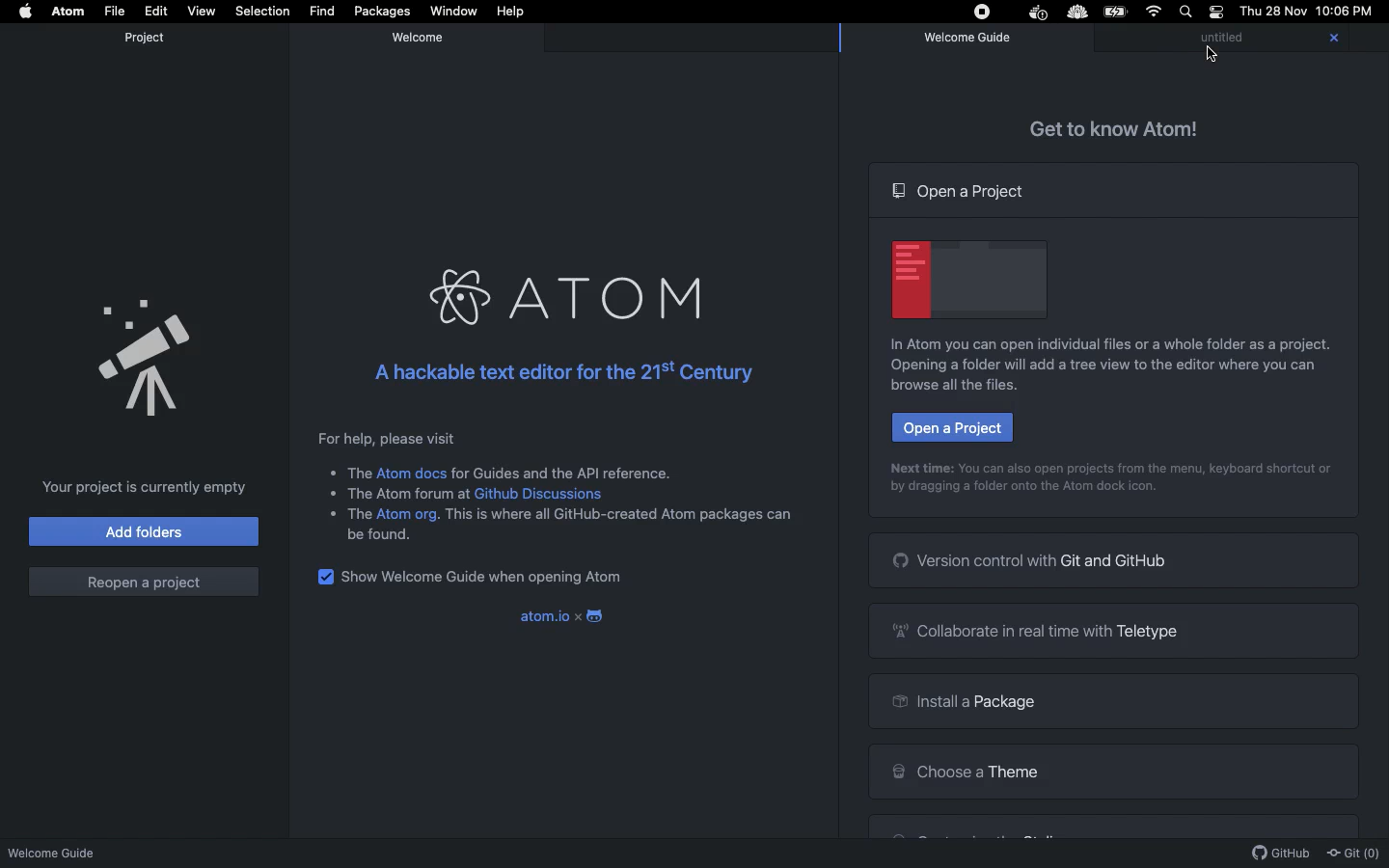  I want to click on Github, so click(1279, 853).